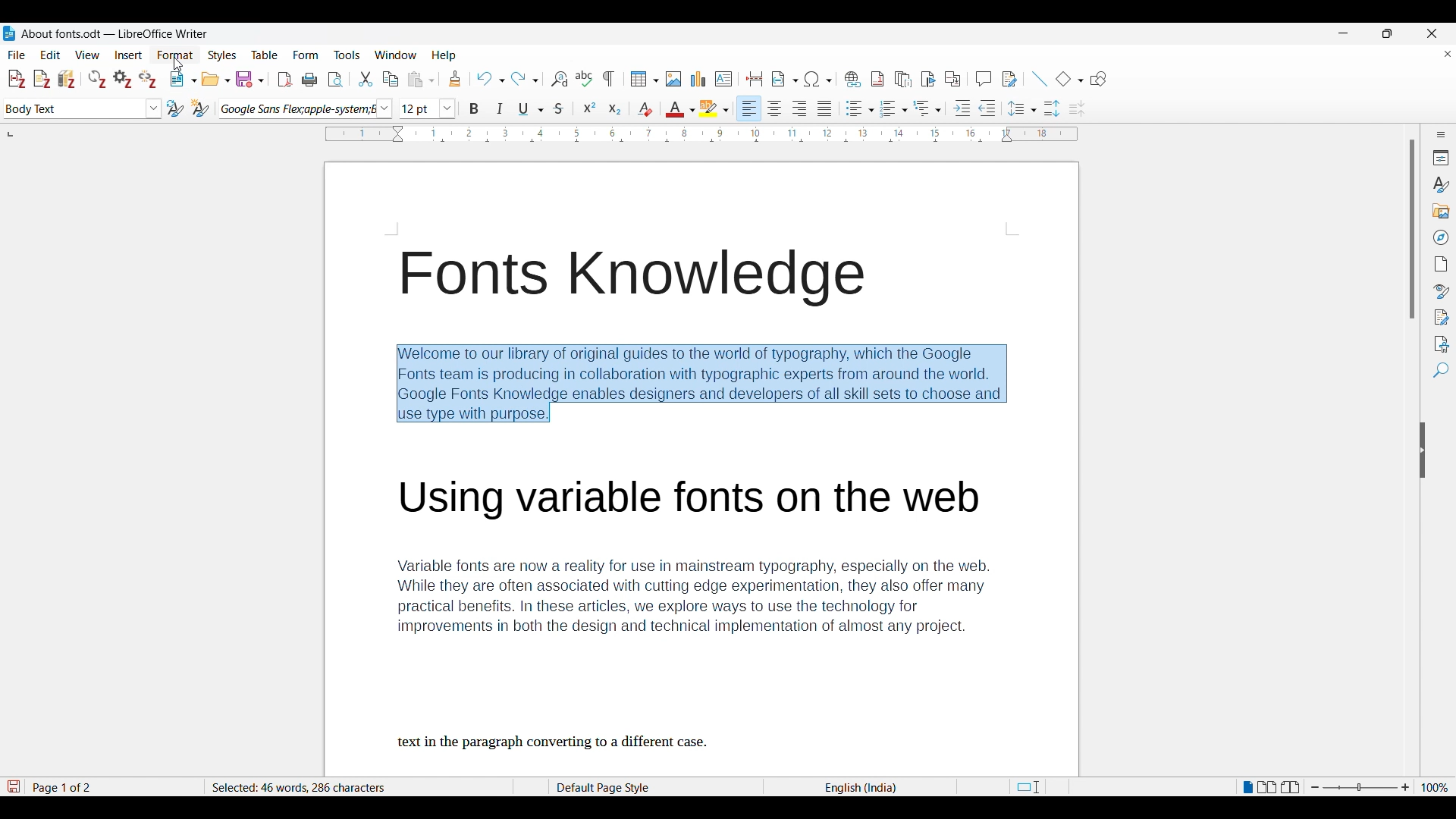 The width and height of the screenshot is (1456, 819). Describe the element at coordinates (1413, 230) in the screenshot. I see `Vertical slide bar` at that location.